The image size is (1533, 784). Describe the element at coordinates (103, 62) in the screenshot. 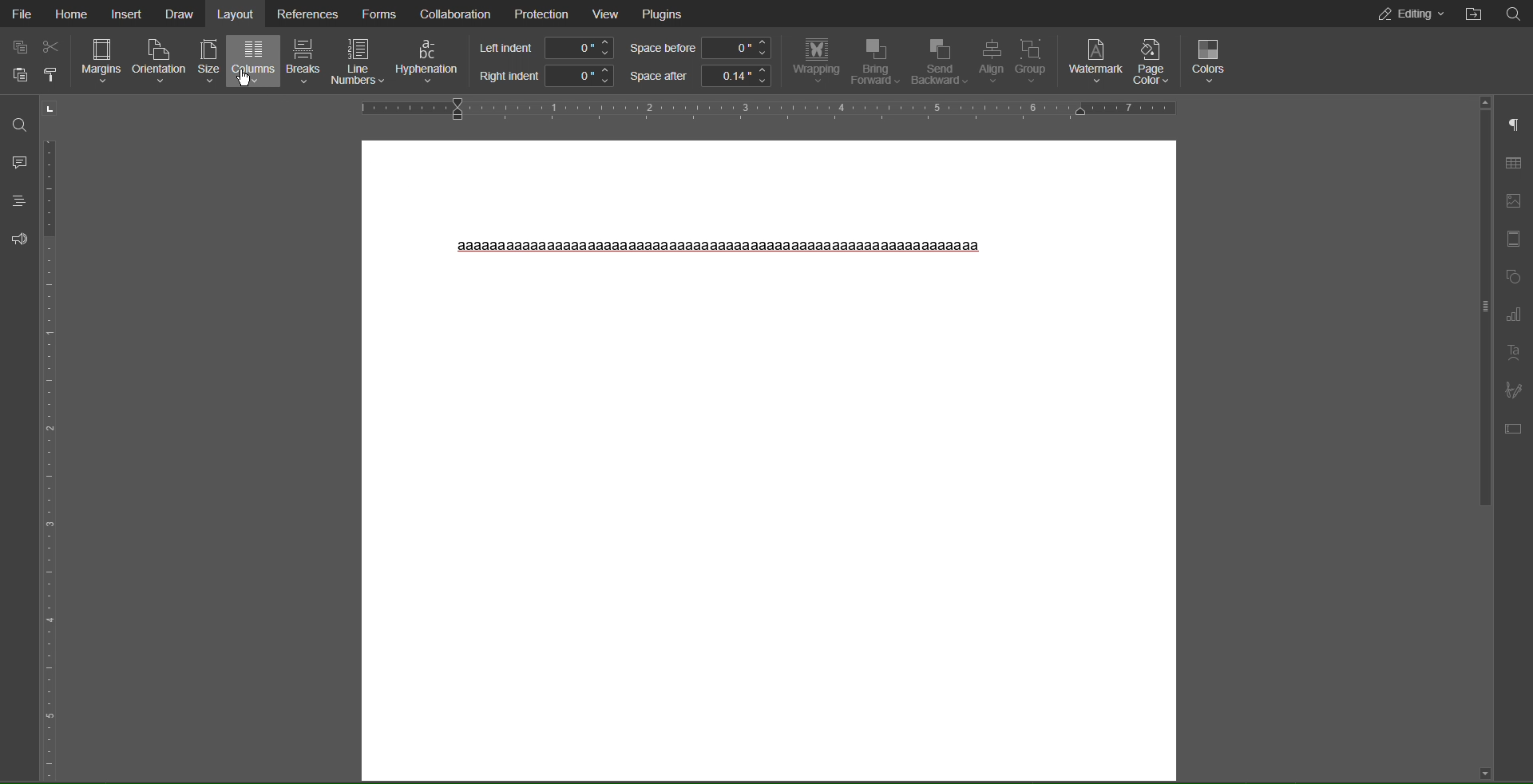

I see `Margins` at that location.